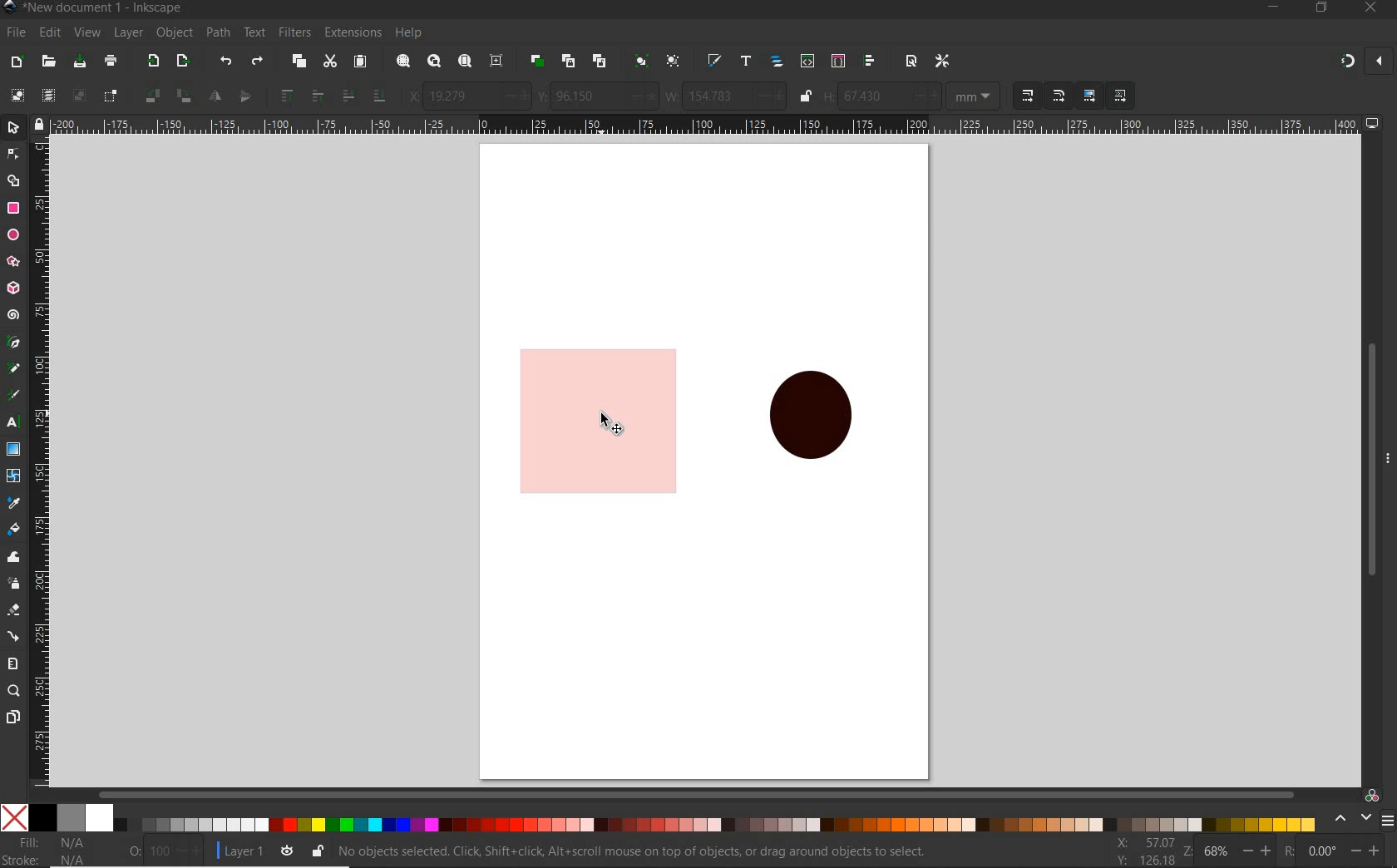 This screenshot has width=1397, height=868. Describe the element at coordinates (1339, 852) in the screenshot. I see `rotate` at that location.